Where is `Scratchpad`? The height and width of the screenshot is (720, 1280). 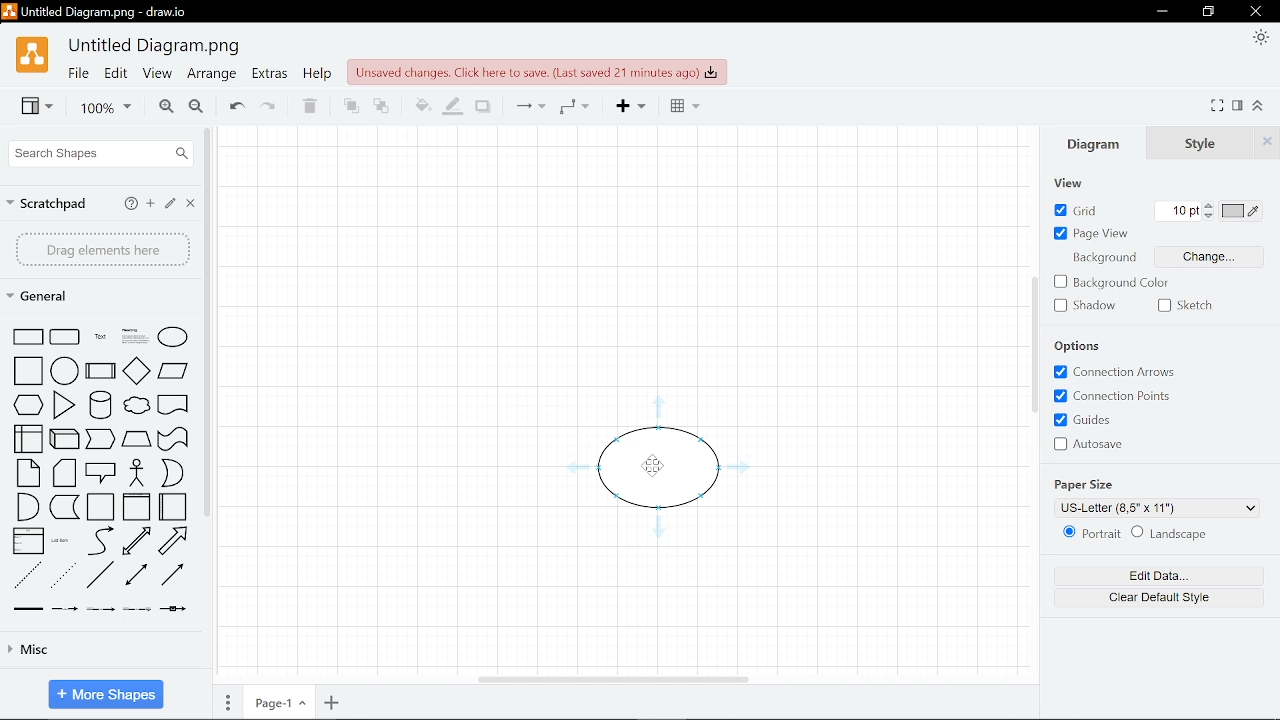
Scratchpad is located at coordinates (48, 205).